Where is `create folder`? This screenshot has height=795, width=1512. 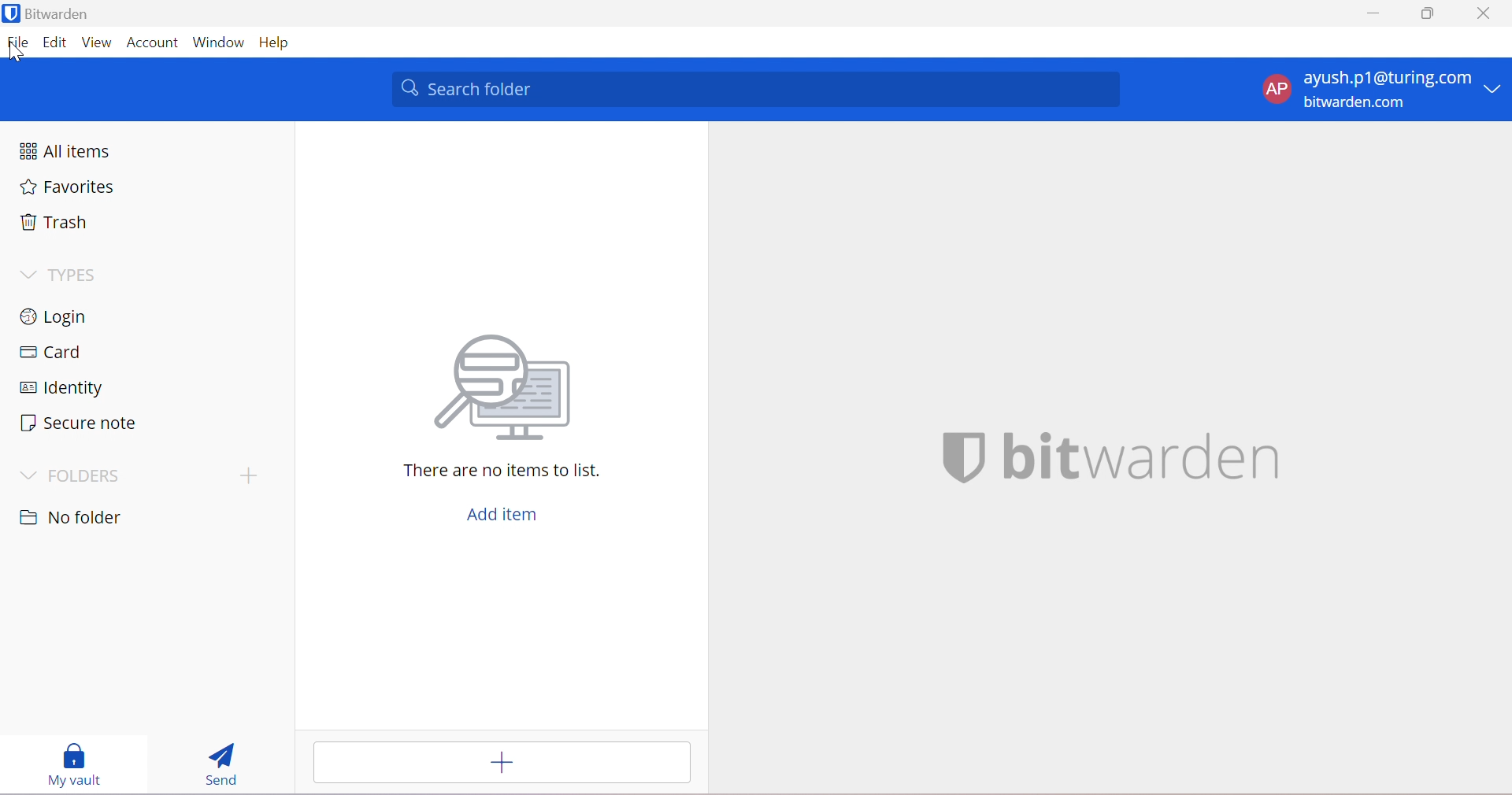
create folder is located at coordinates (245, 477).